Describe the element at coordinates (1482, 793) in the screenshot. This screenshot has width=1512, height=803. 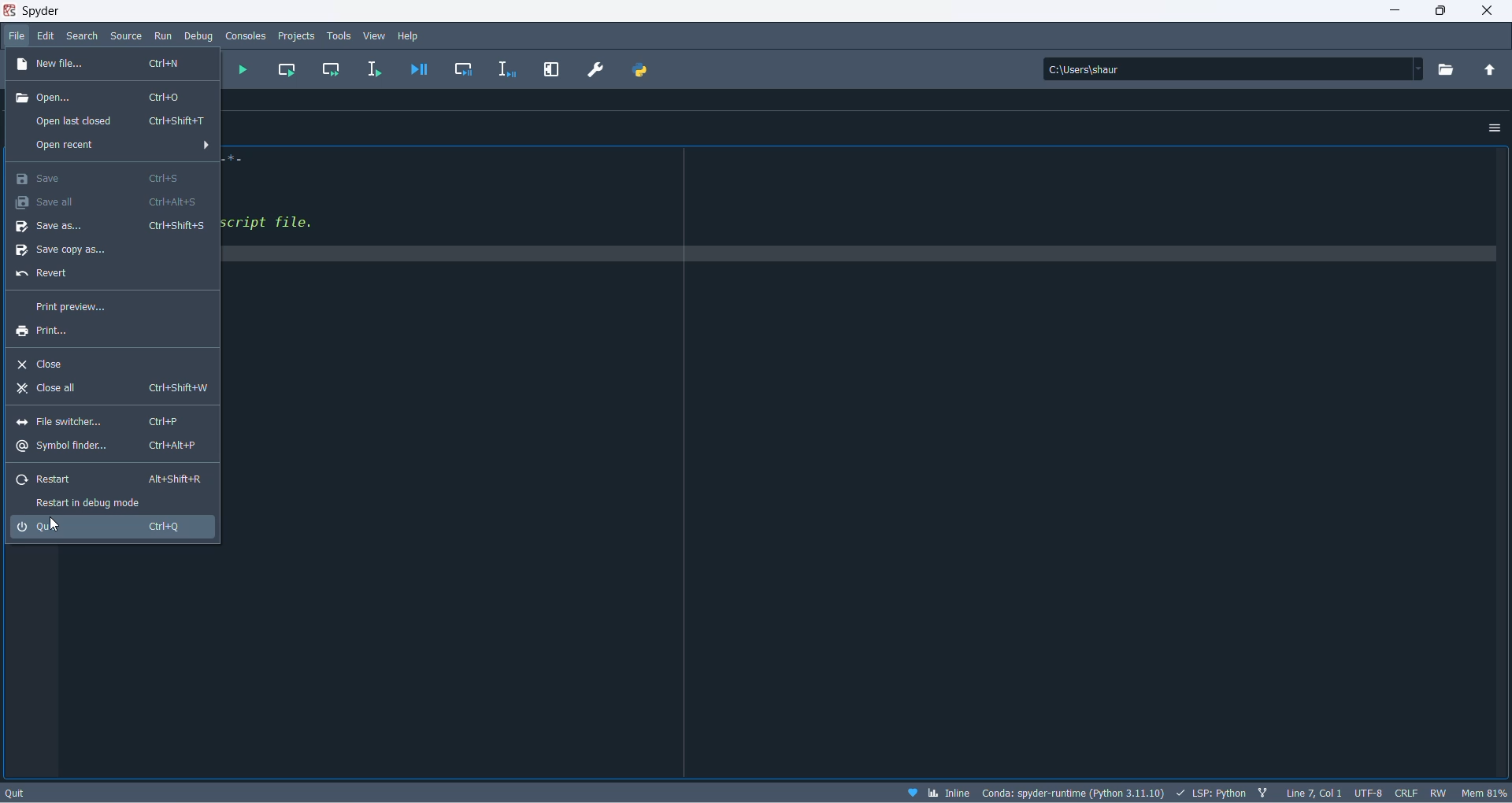
I see `memory` at that location.